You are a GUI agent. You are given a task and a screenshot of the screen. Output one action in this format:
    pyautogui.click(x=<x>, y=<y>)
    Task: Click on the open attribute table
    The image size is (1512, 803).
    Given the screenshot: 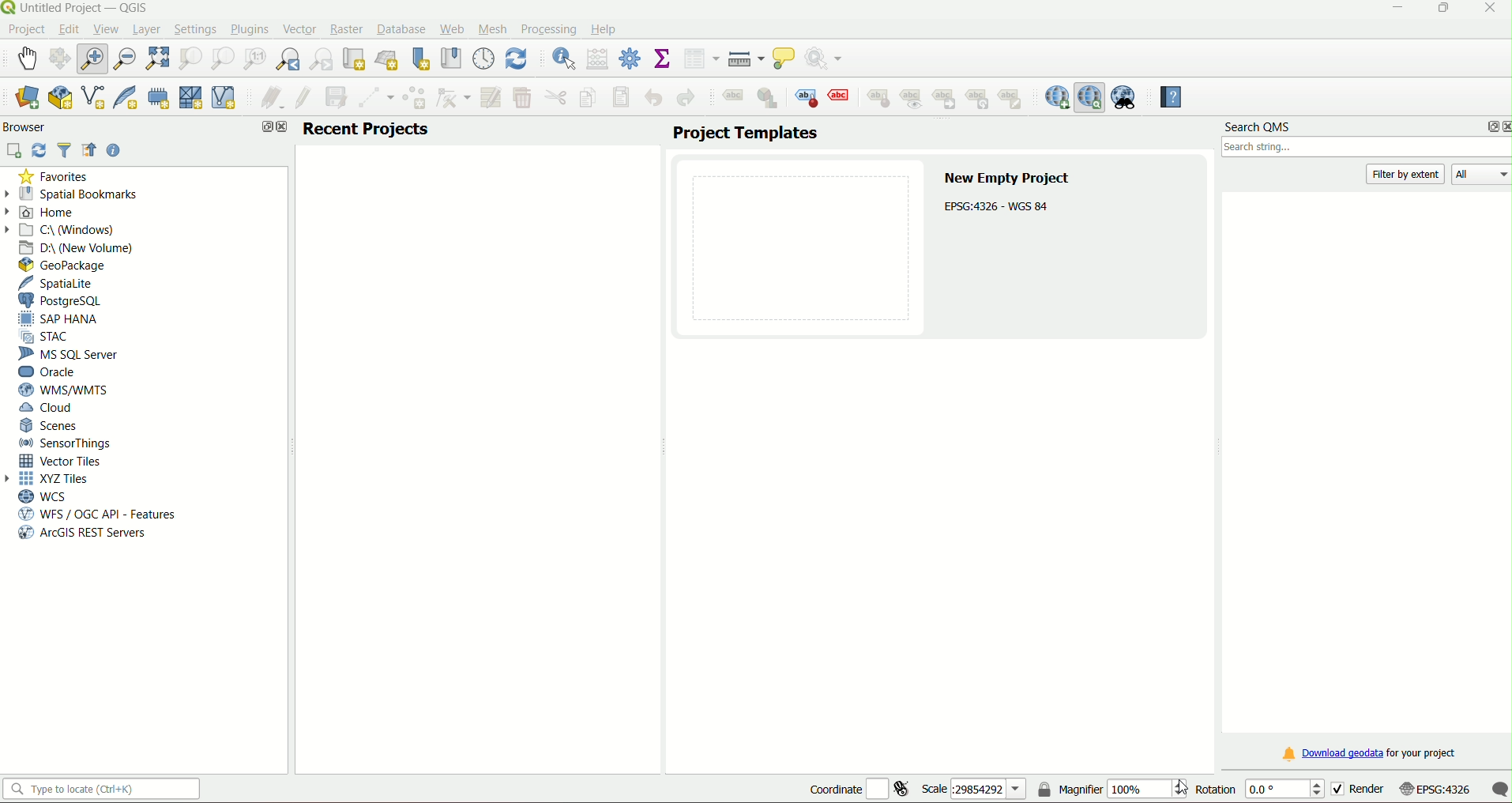 What is the action you would take?
    pyautogui.click(x=701, y=59)
    